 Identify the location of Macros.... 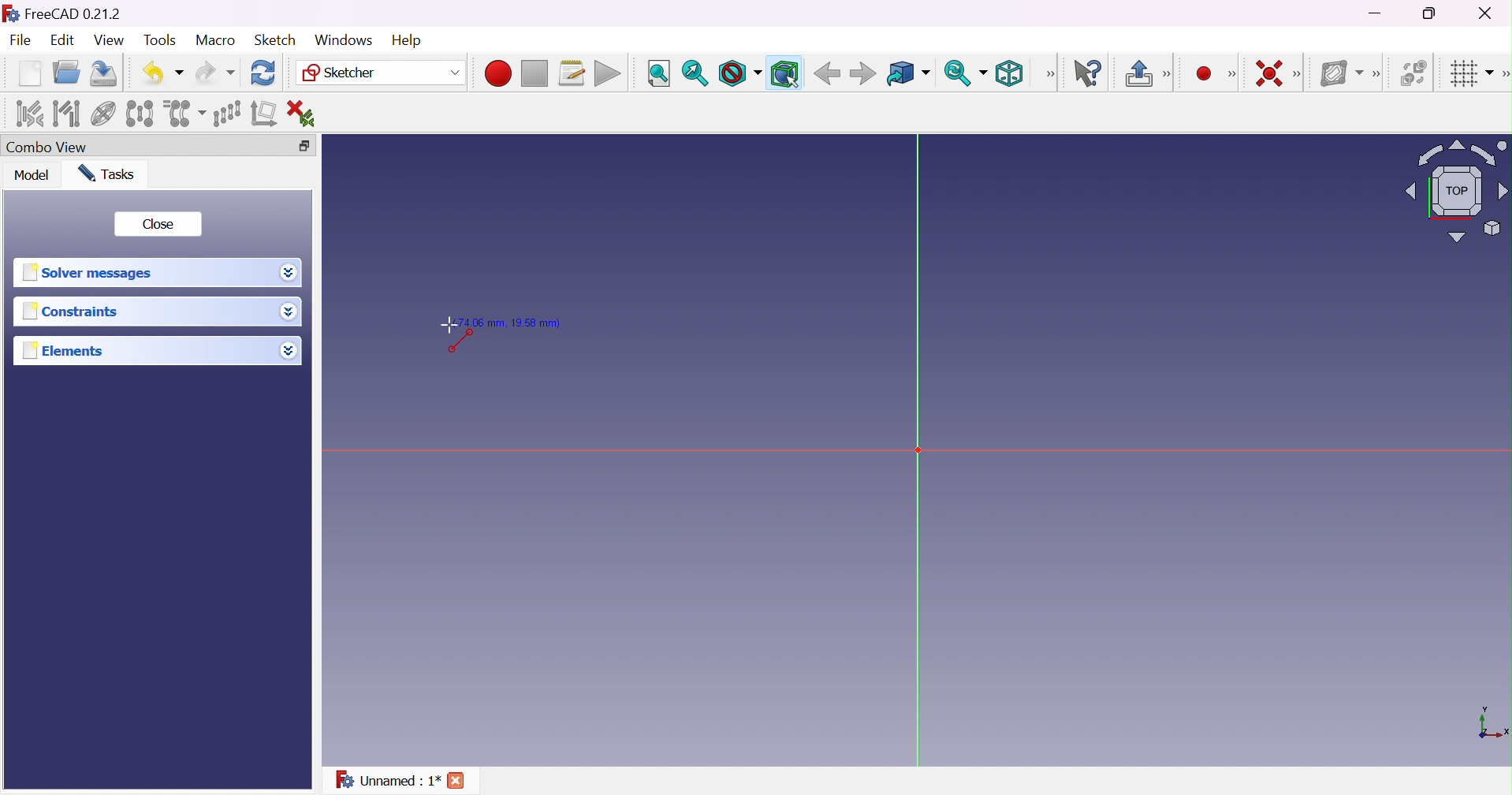
(572, 73).